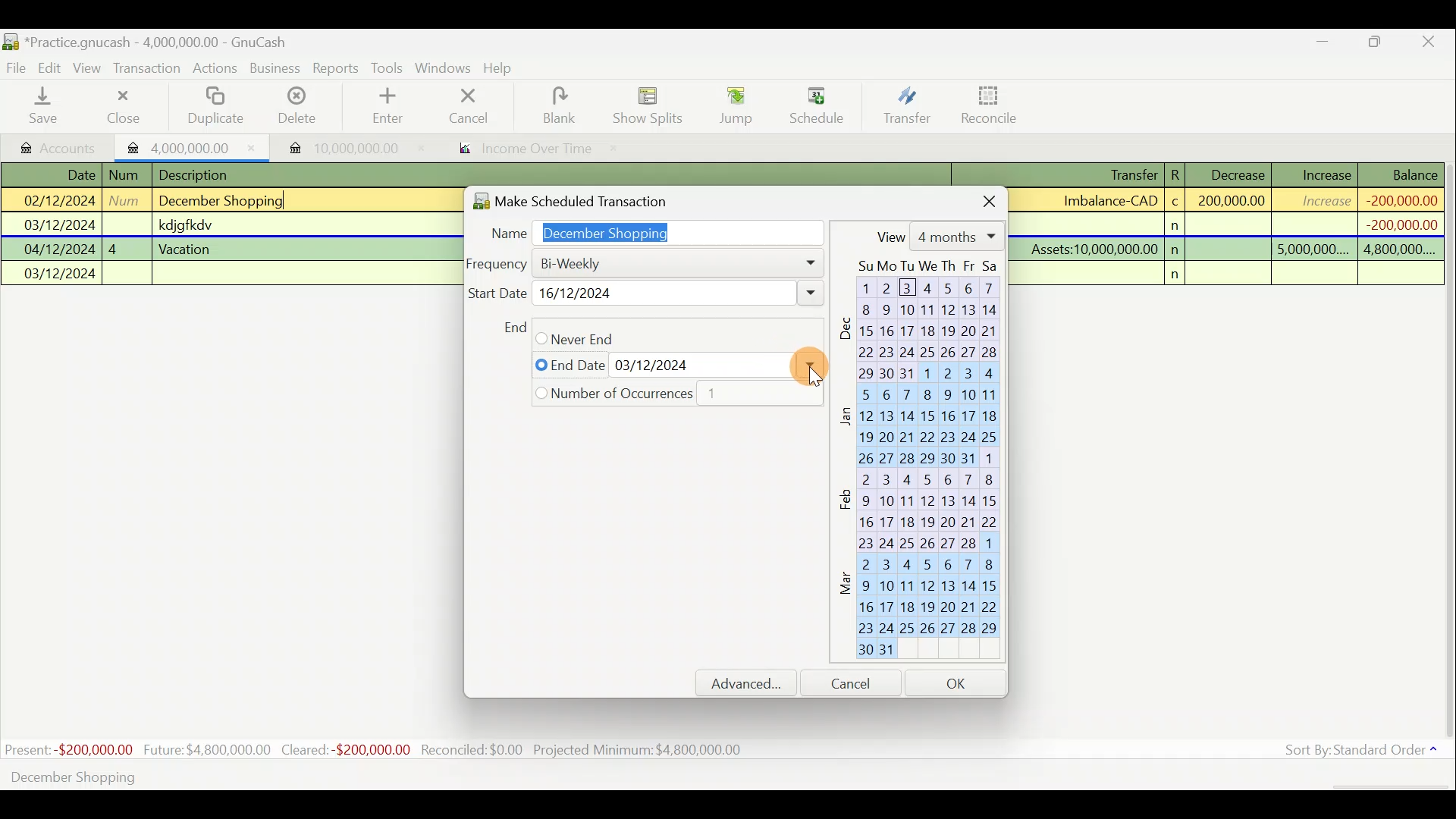 The width and height of the screenshot is (1456, 819). Describe the element at coordinates (445, 69) in the screenshot. I see `Windows` at that location.